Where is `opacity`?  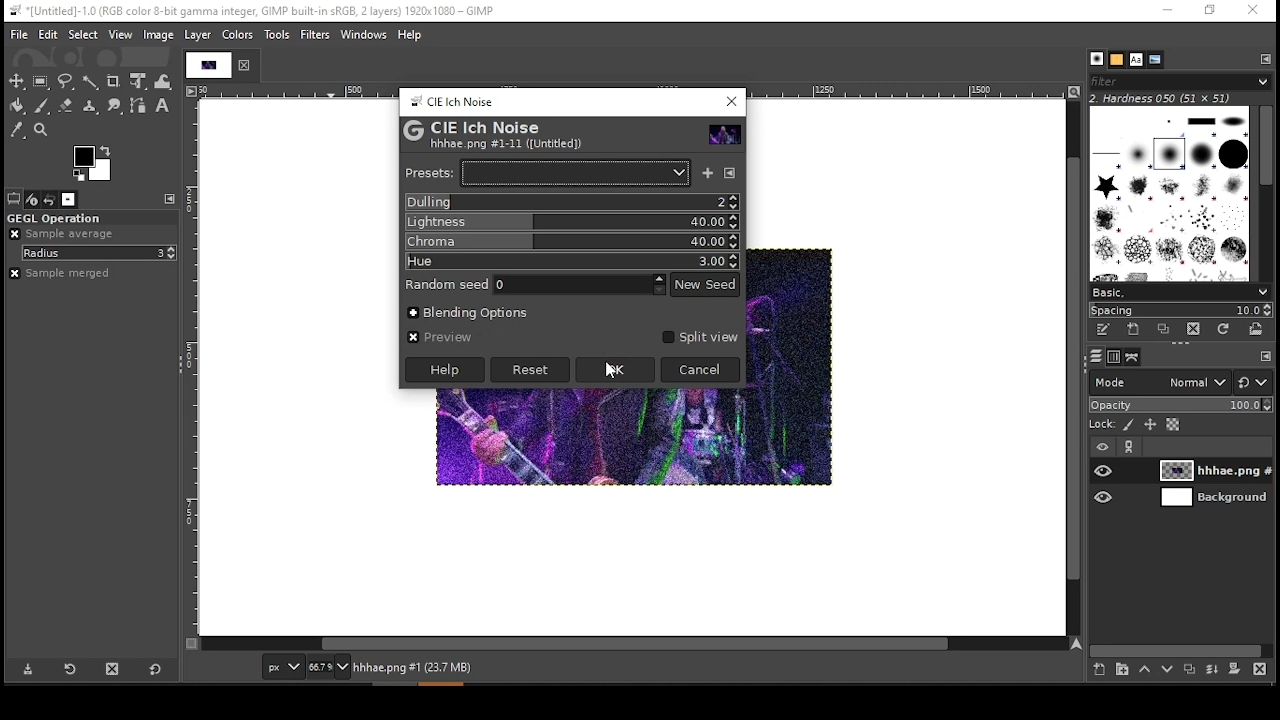 opacity is located at coordinates (1179, 405).